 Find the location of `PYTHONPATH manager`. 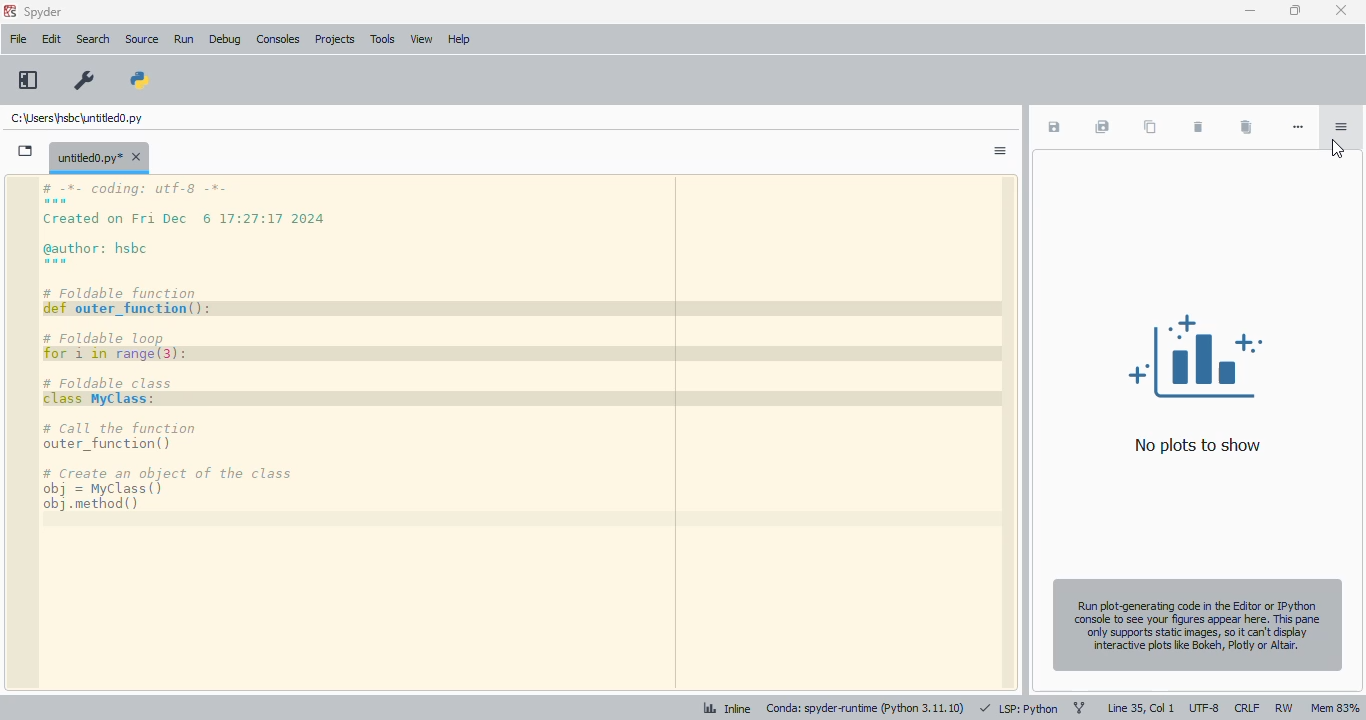

PYTHONPATH manager is located at coordinates (140, 80).